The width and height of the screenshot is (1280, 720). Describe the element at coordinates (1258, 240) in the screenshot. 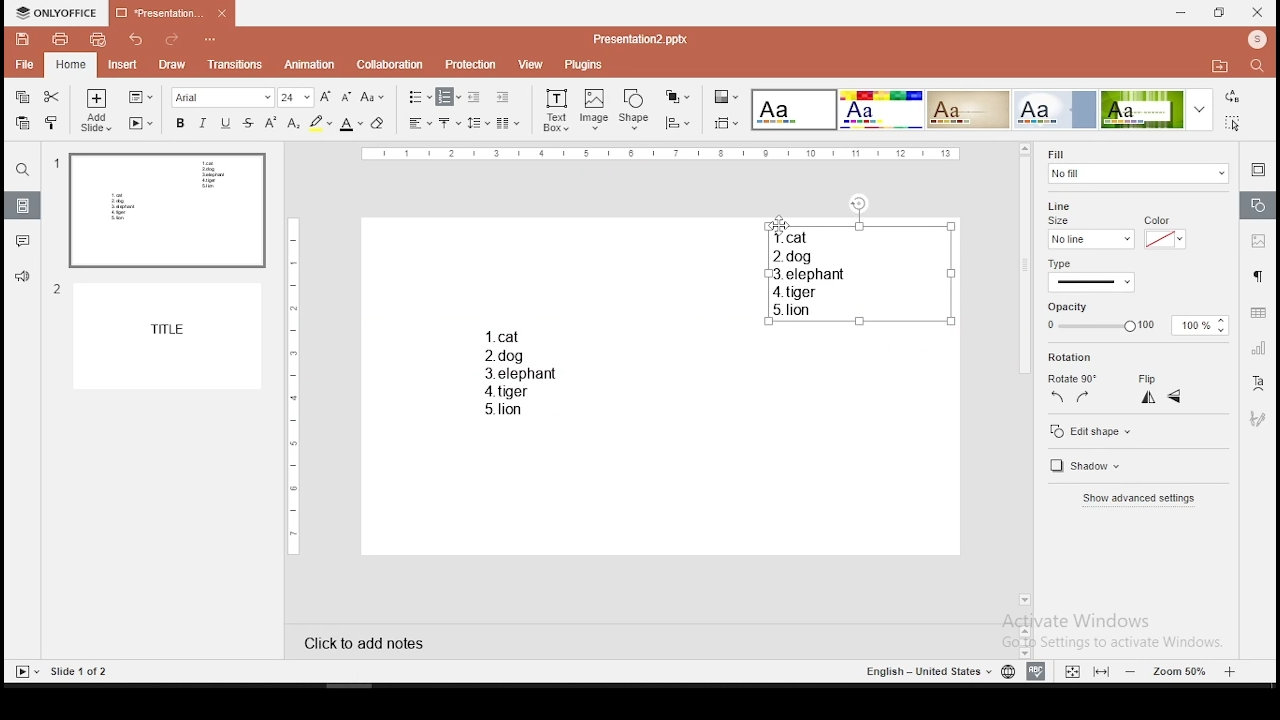

I see `image settings` at that location.